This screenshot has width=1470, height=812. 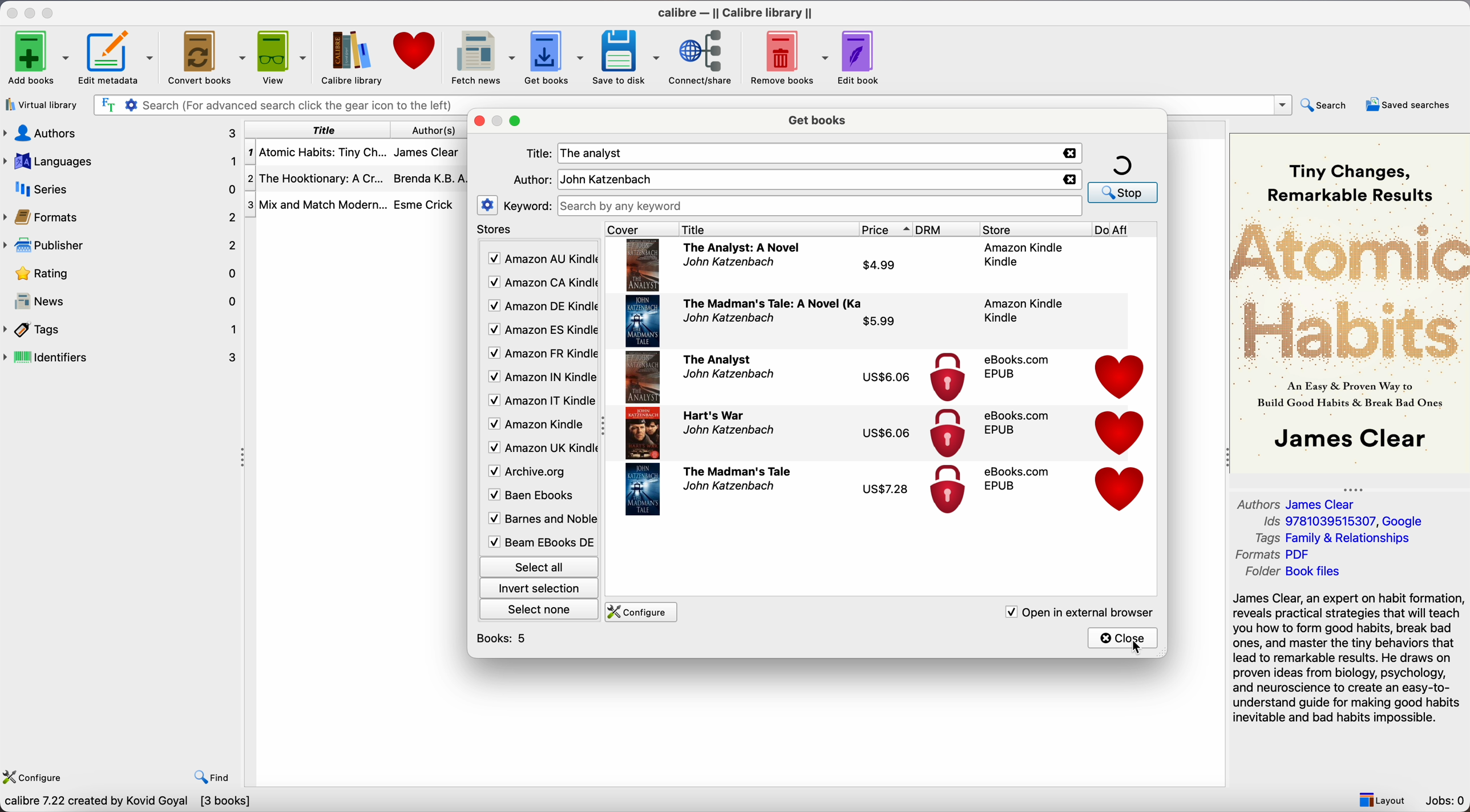 What do you see at coordinates (324, 130) in the screenshot?
I see `title` at bounding box center [324, 130].